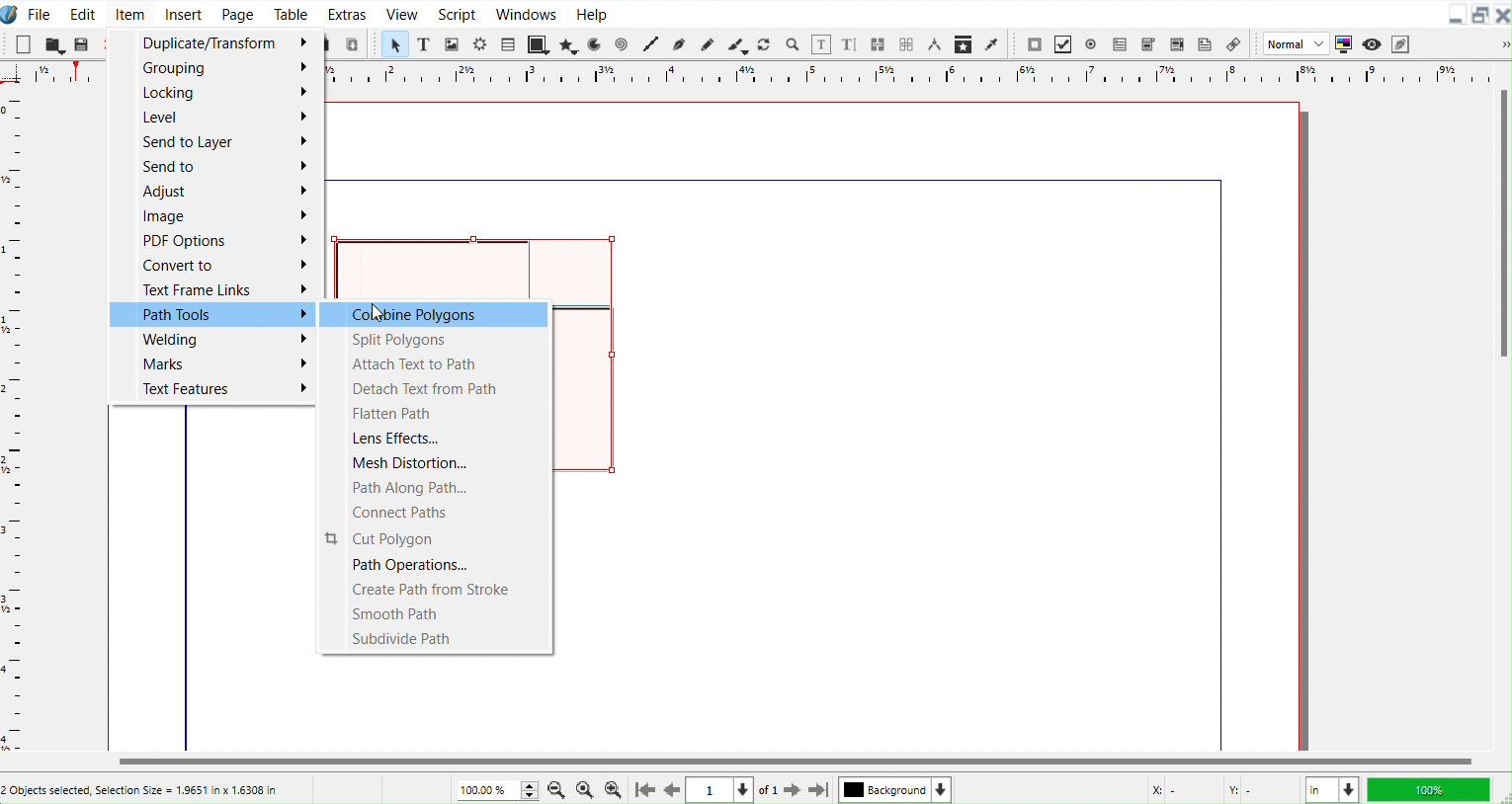 This screenshot has height=804, width=1512. I want to click on Table, so click(292, 13).